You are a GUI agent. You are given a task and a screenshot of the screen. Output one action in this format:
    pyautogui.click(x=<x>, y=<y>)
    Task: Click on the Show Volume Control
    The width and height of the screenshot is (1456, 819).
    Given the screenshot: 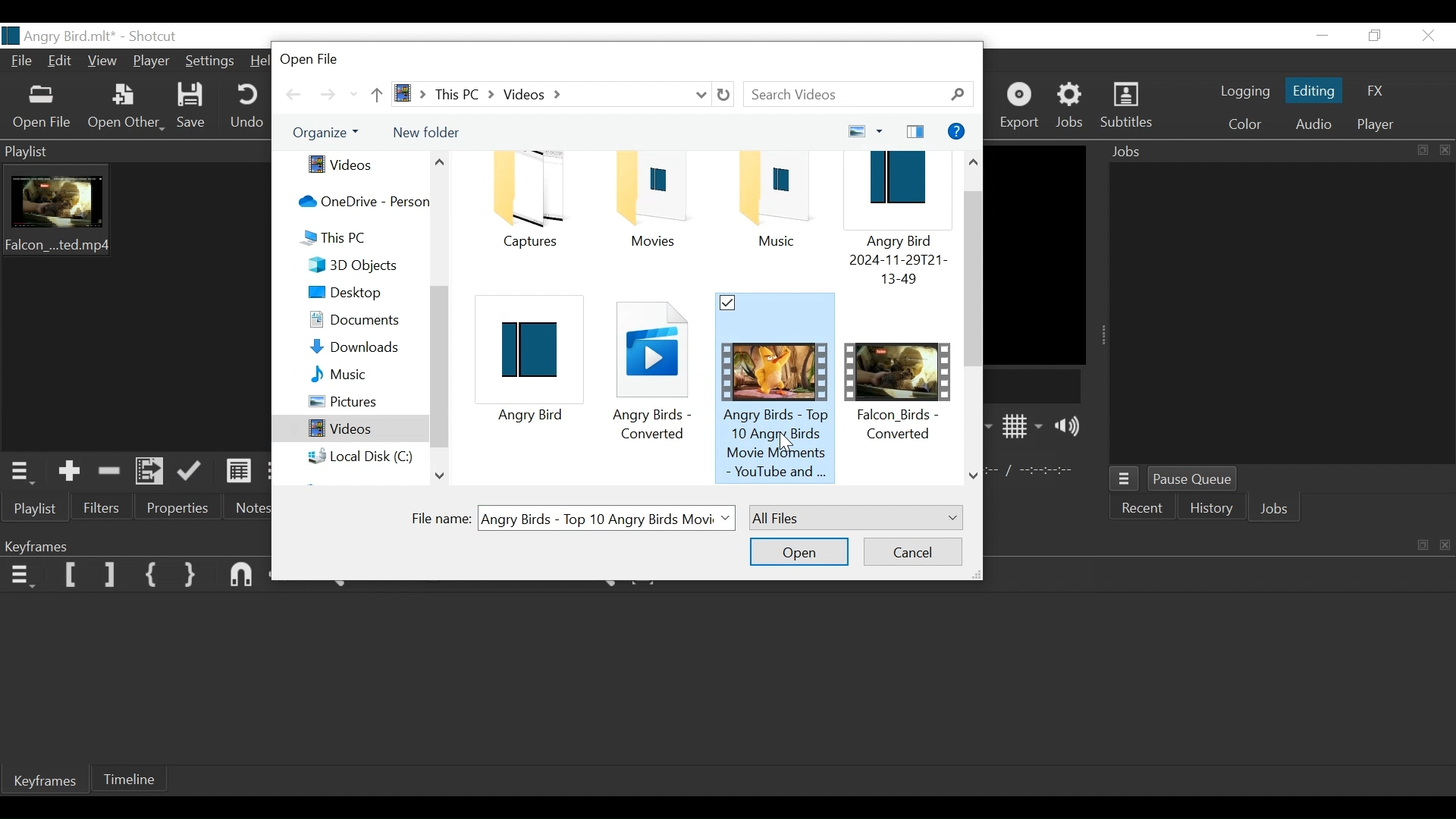 What is the action you would take?
    pyautogui.click(x=1070, y=427)
    